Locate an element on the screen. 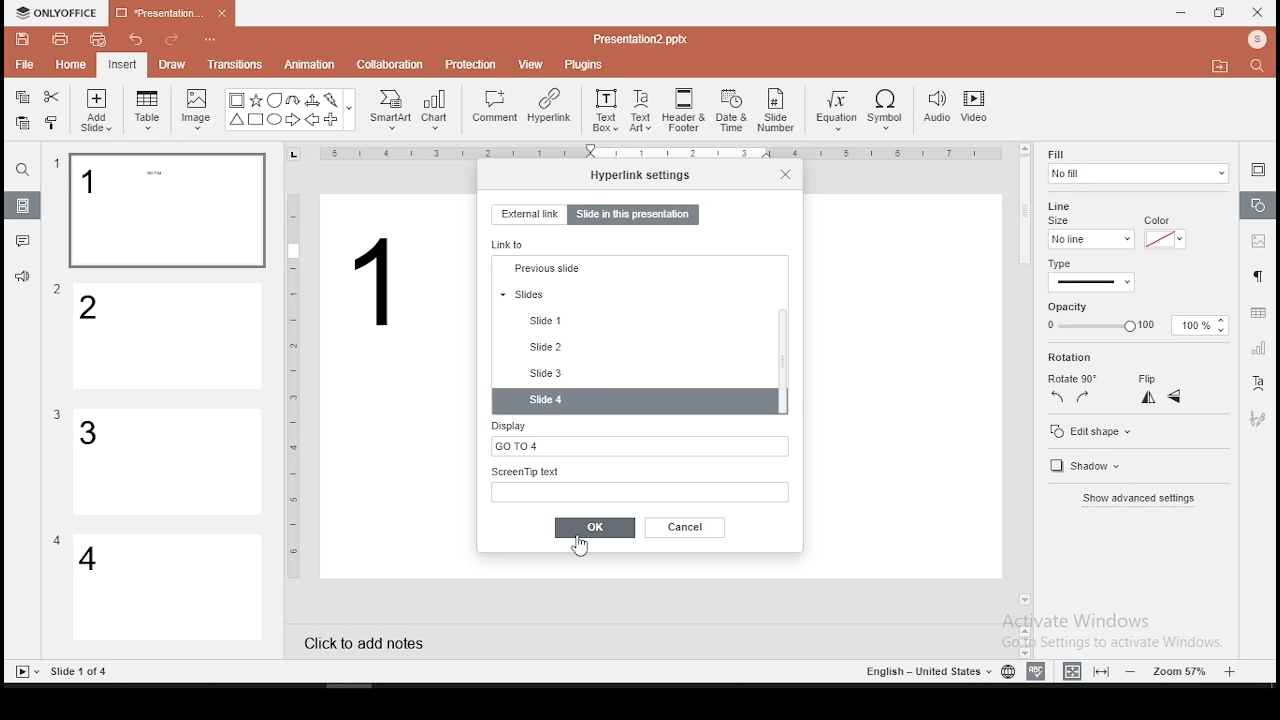 Image resolution: width=1280 pixels, height=720 pixels. Plus is located at coordinates (332, 120).